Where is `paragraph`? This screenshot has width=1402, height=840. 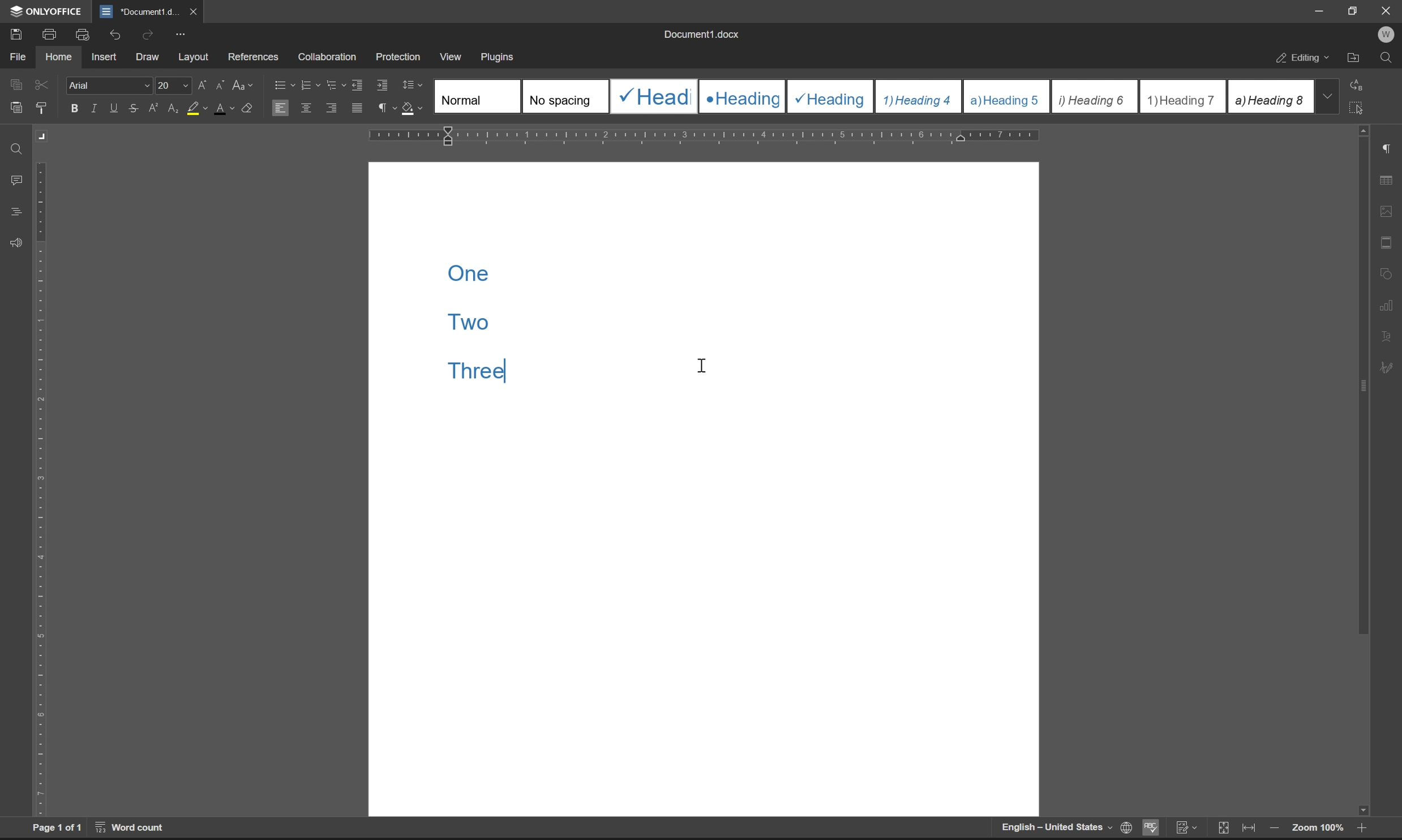 paragraph is located at coordinates (385, 108).